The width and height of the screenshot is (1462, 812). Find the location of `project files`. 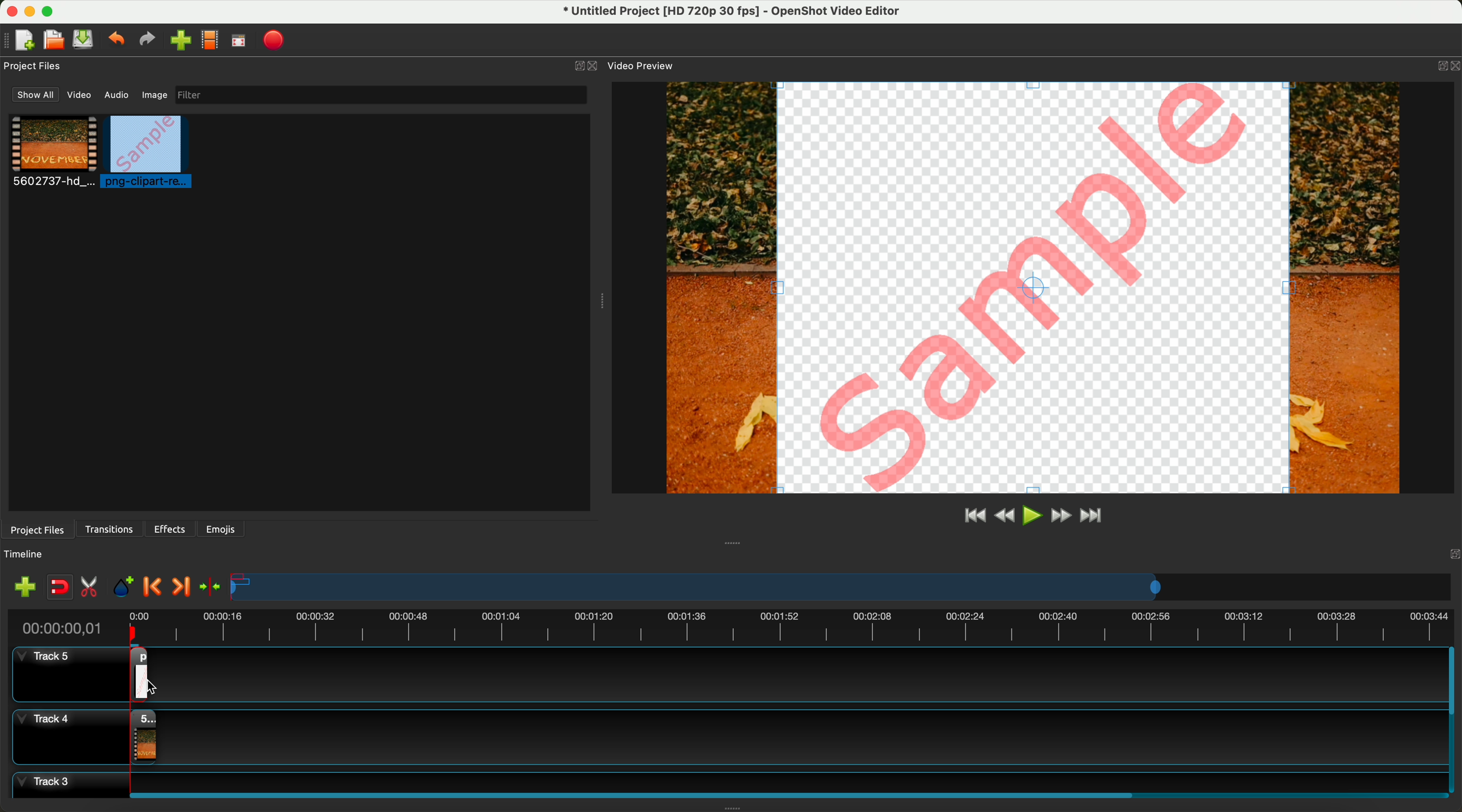

project files is located at coordinates (36, 529).